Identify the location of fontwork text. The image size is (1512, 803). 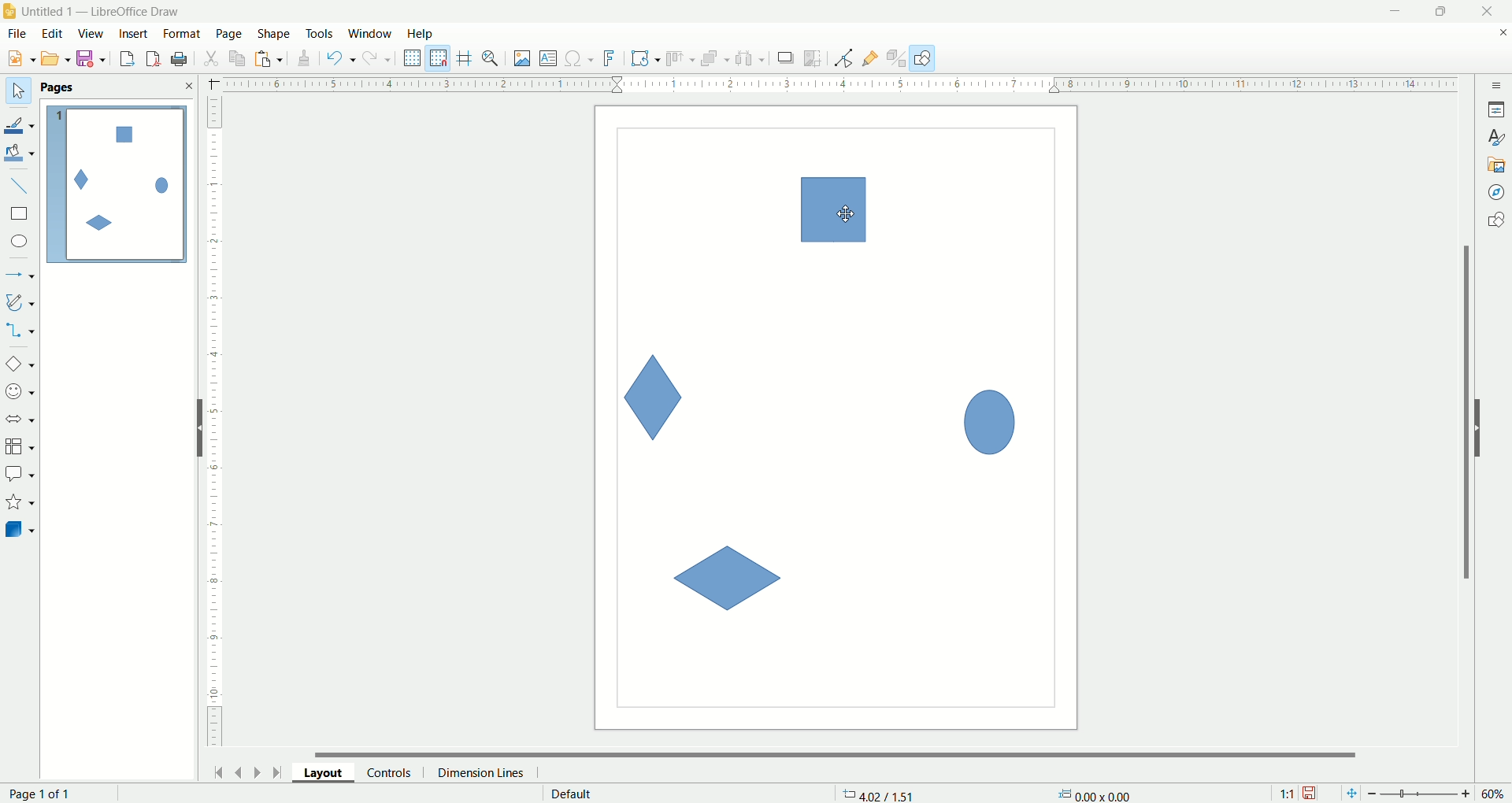
(612, 59).